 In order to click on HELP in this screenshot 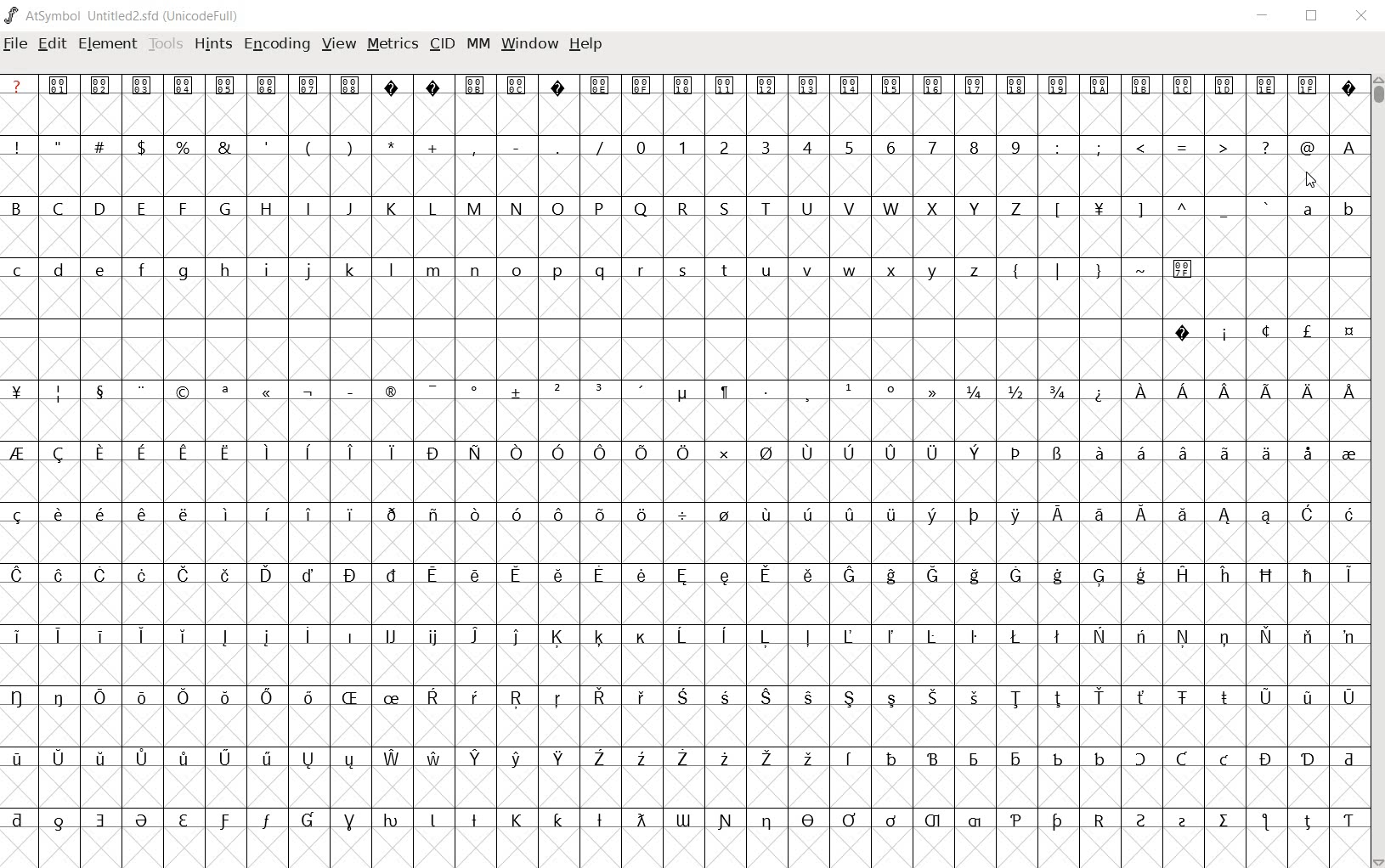, I will do `click(586, 45)`.